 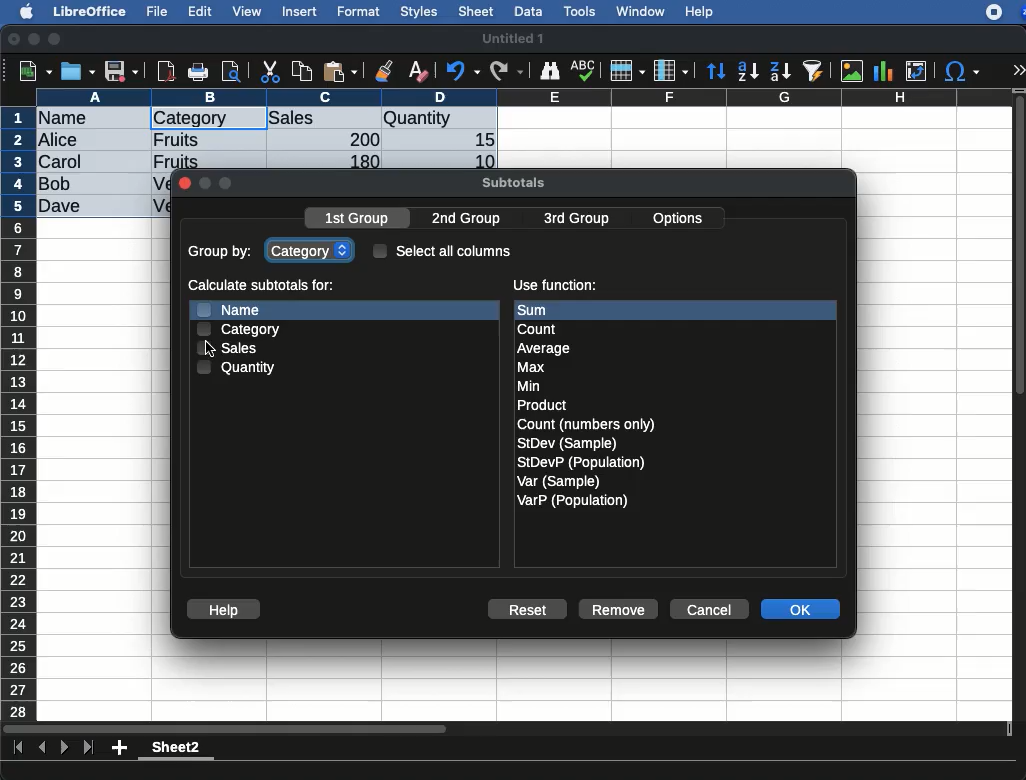 I want to click on remove, so click(x=619, y=609).